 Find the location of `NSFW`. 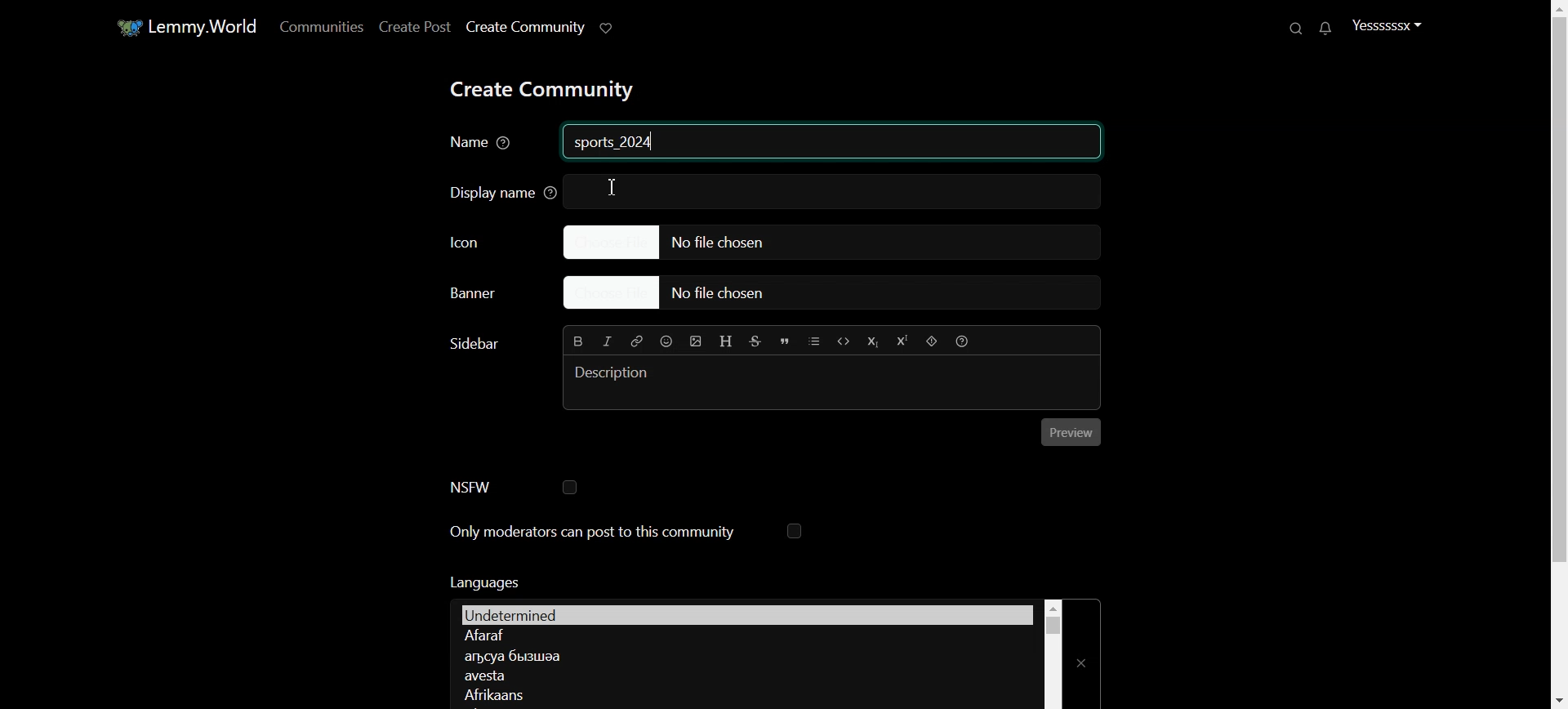

NSFW is located at coordinates (513, 487).